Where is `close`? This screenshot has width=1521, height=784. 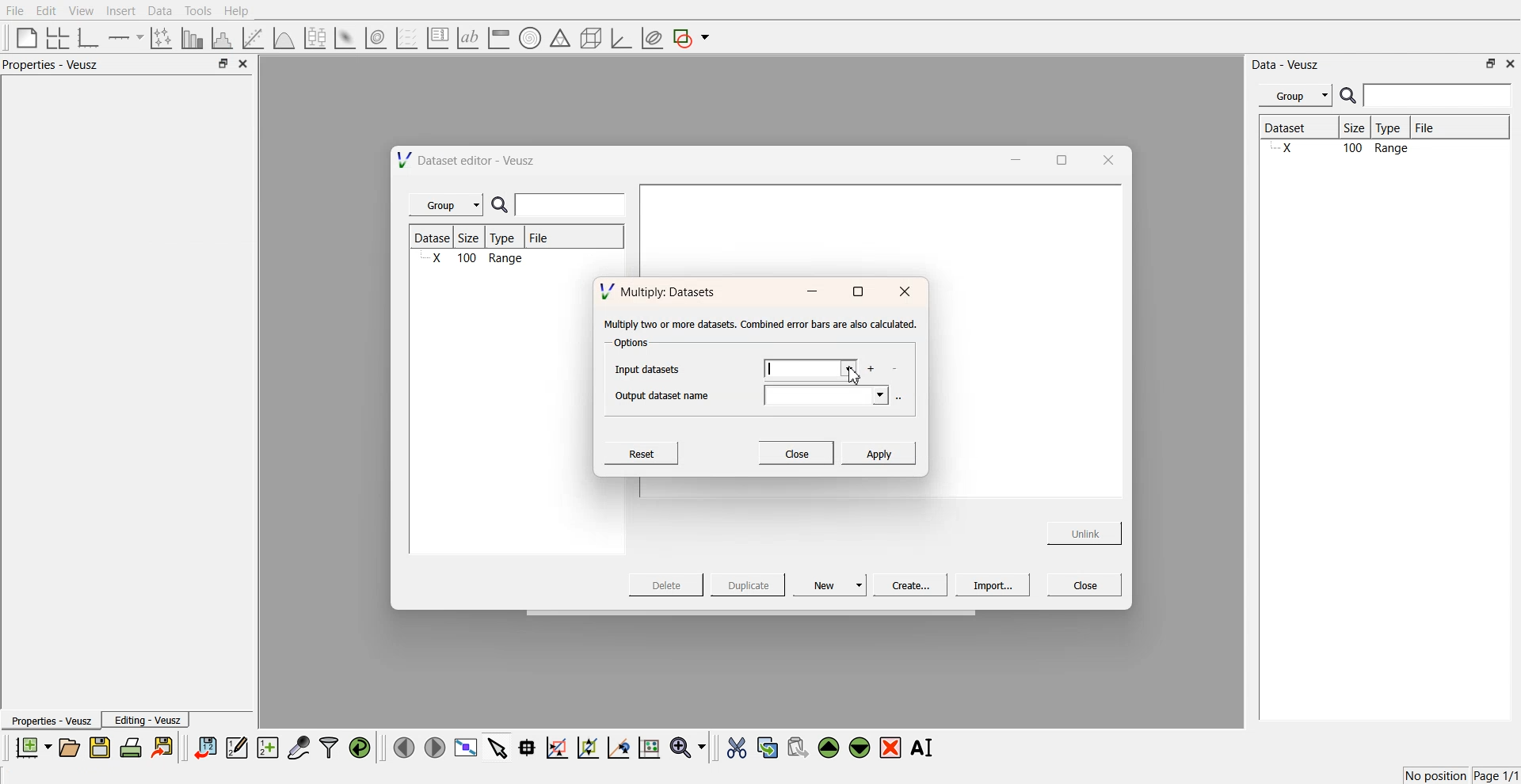 close is located at coordinates (244, 64).